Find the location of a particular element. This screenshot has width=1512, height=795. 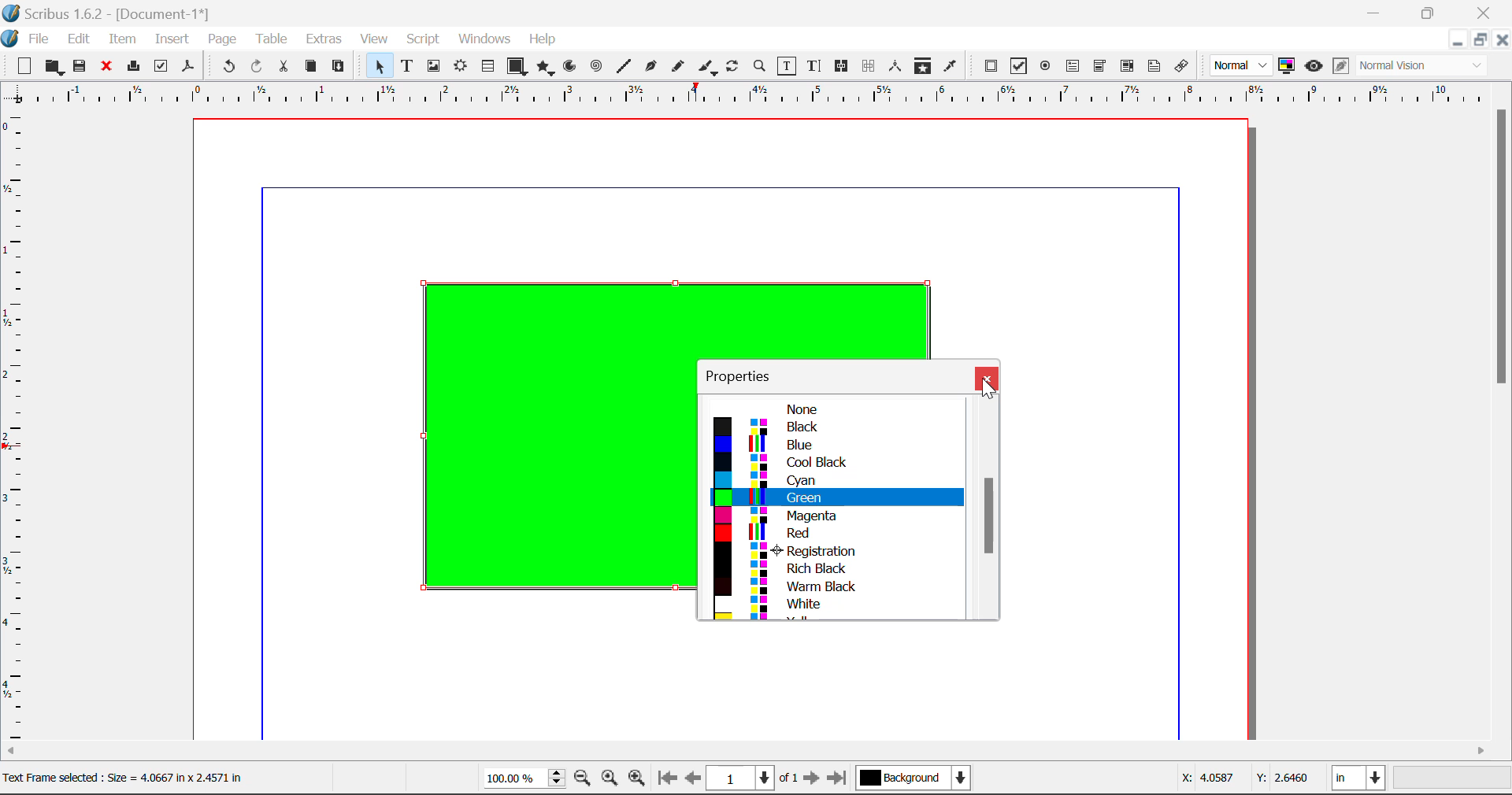

Green Selected is located at coordinates (838, 497).